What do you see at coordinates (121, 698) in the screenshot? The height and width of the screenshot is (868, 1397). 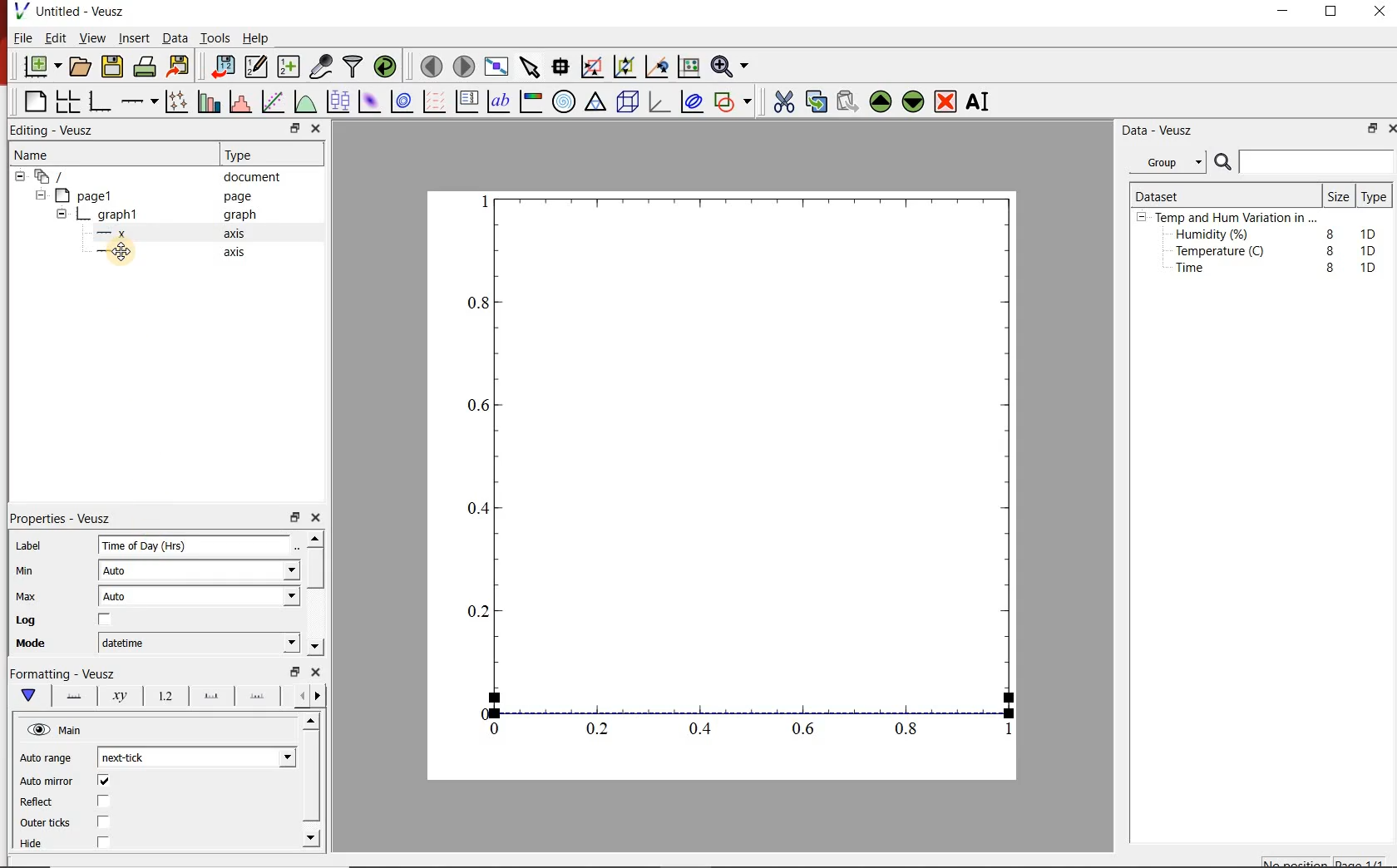 I see `axis label` at bounding box center [121, 698].